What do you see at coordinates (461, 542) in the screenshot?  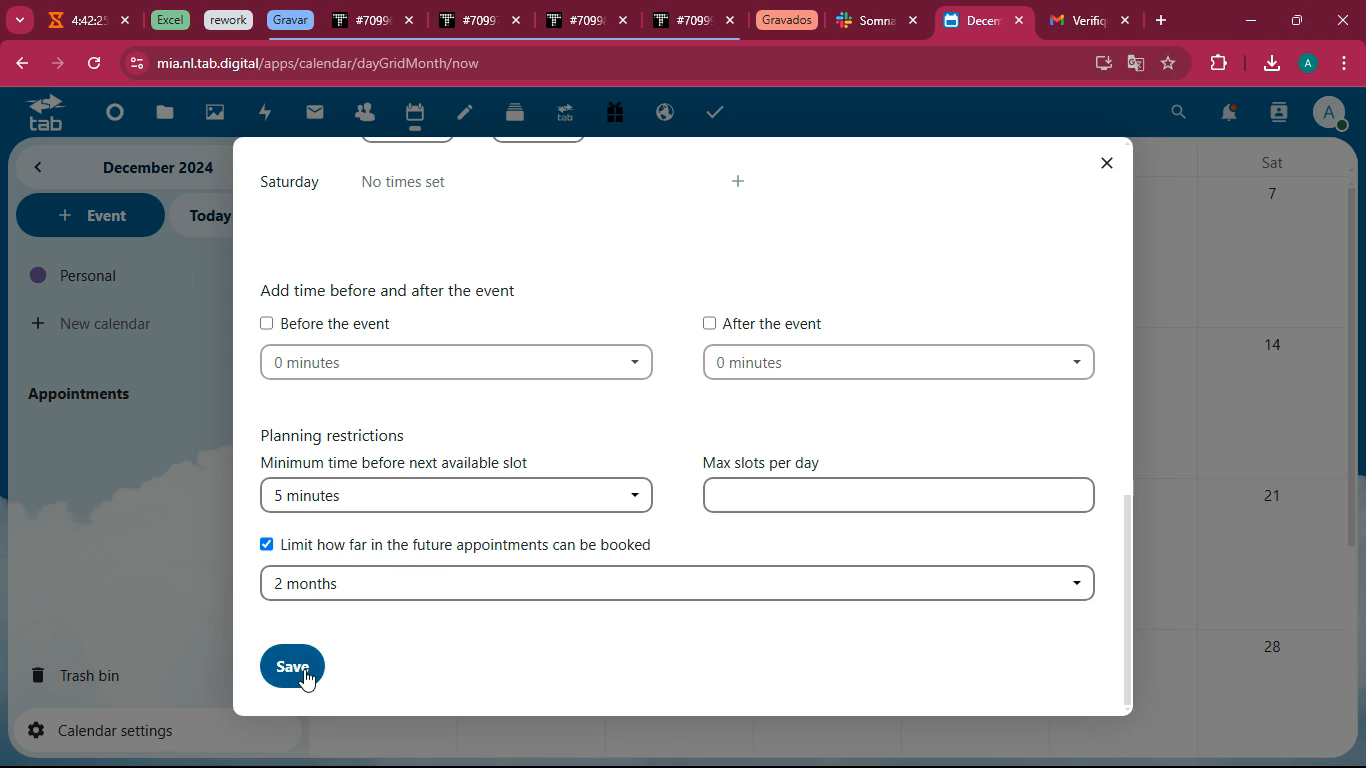 I see `limit booking` at bounding box center [461, 542].